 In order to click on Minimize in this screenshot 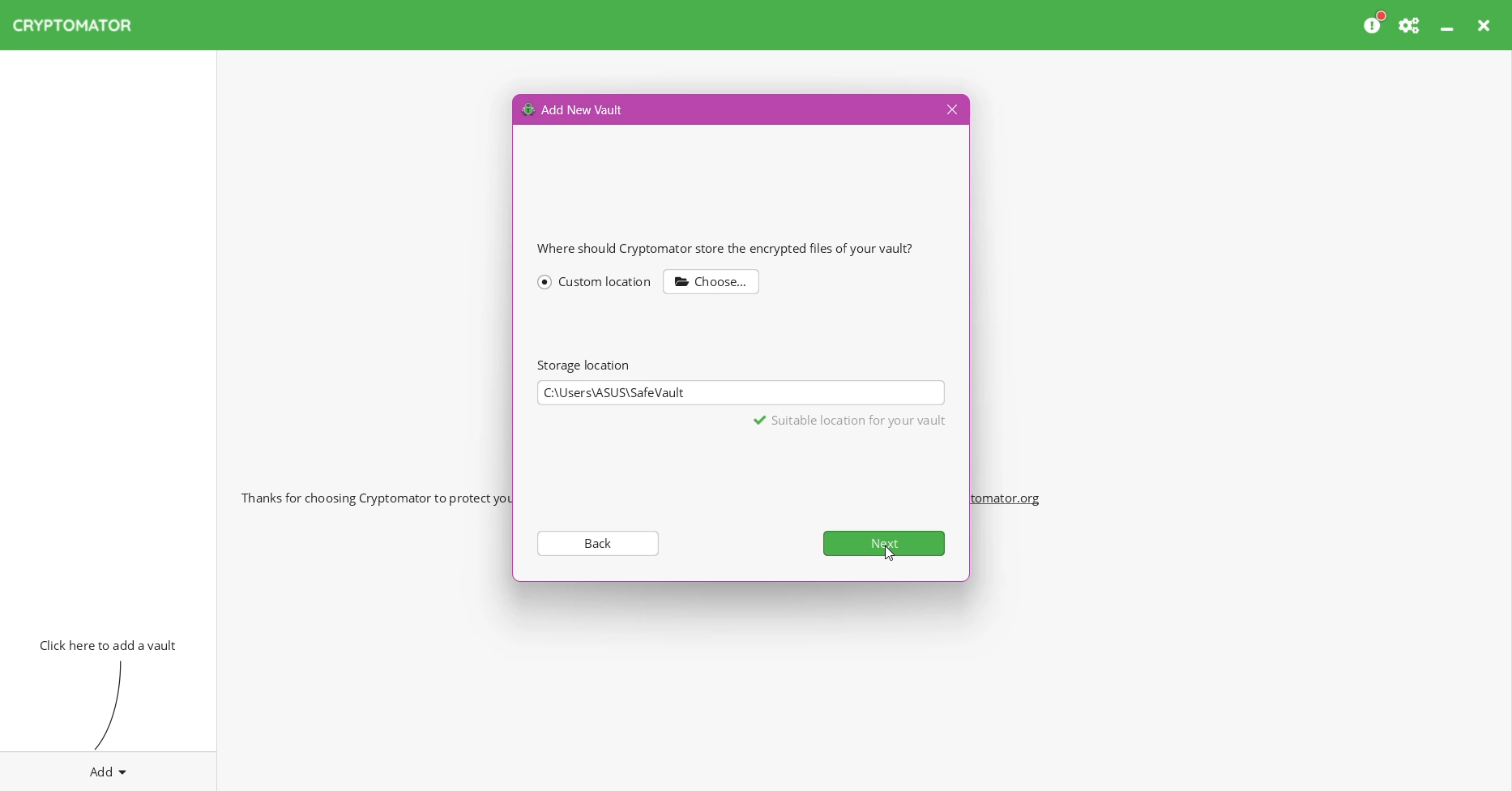, I will do `click(1449, 25)`.